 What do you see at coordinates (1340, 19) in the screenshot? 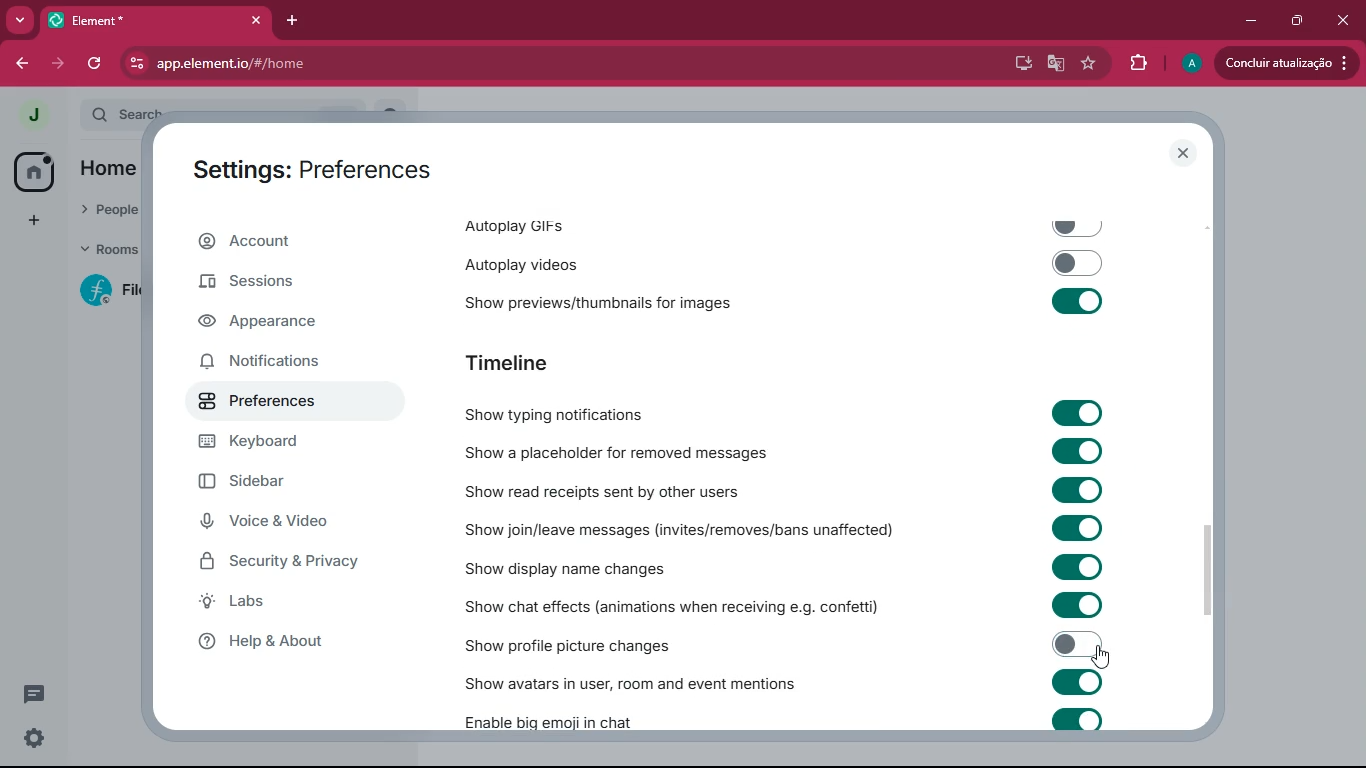
I see `close` at bounding box center [1340, 19].